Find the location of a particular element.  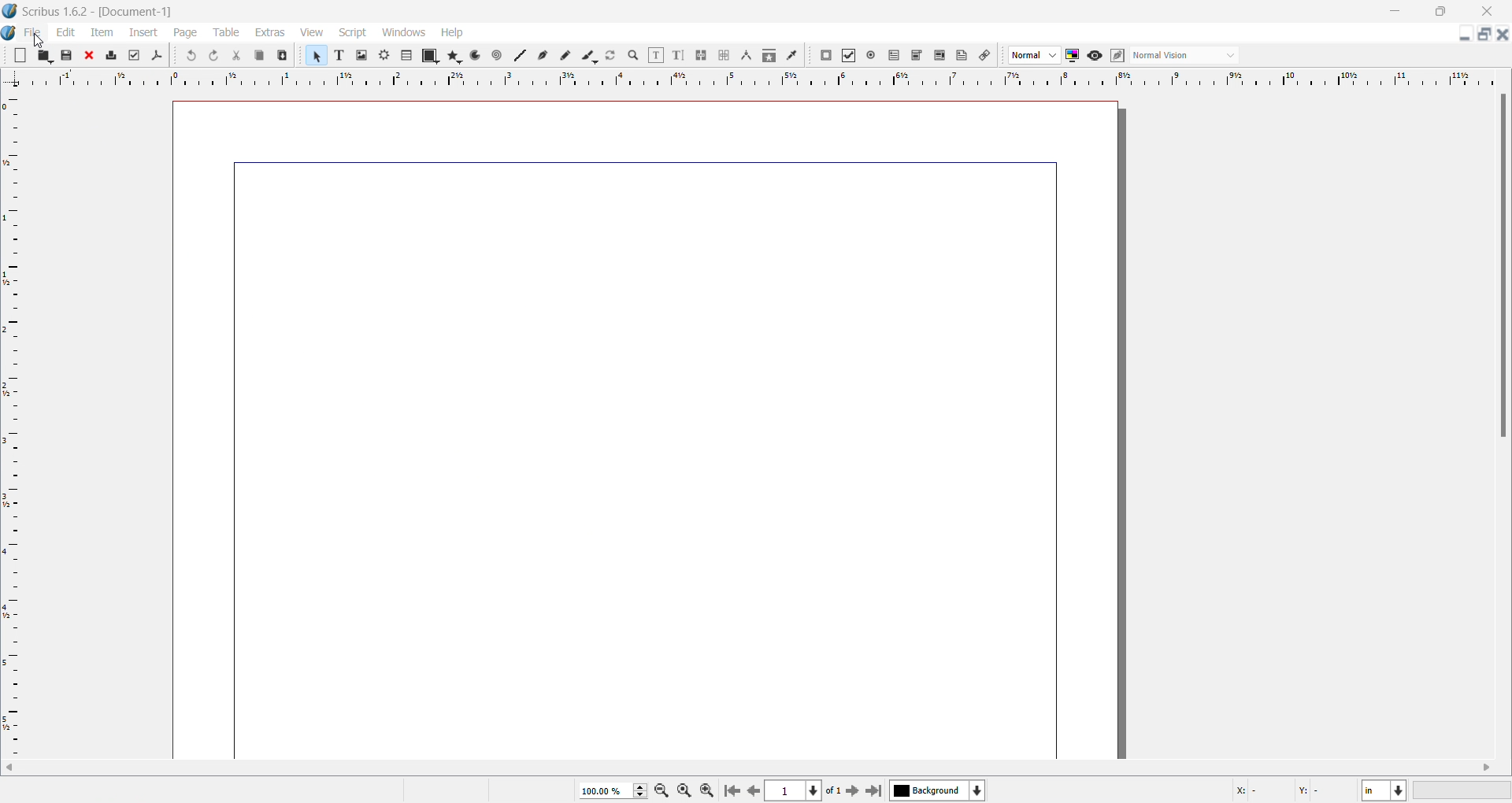

Script is located at coordinates (350, 33).